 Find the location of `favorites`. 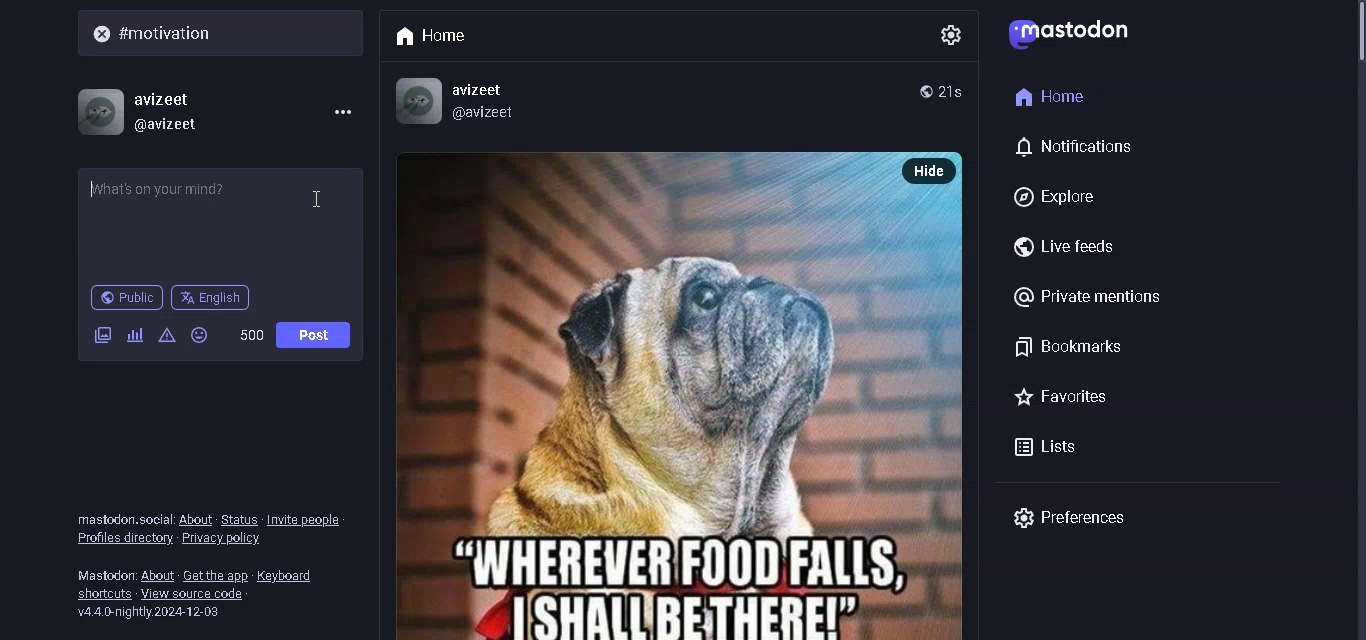

favorites is located at coordinates (1058, 397).